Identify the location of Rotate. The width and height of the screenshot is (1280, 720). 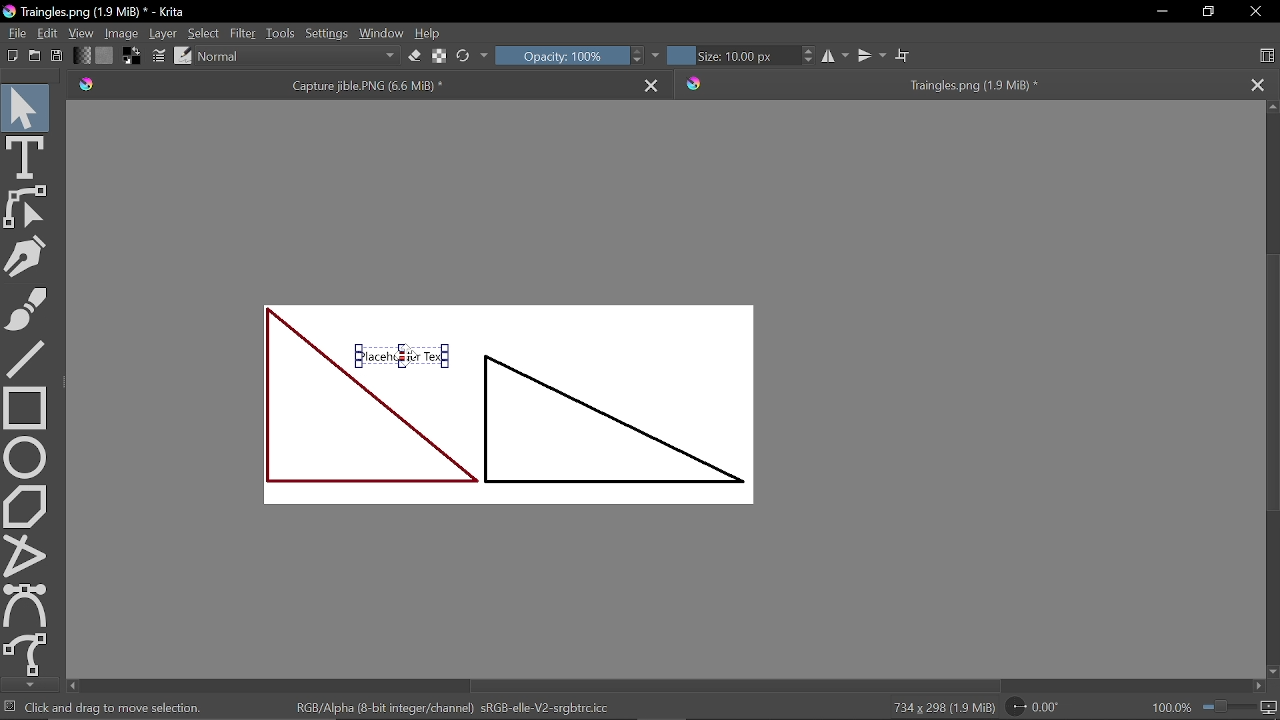
(1033, 708).